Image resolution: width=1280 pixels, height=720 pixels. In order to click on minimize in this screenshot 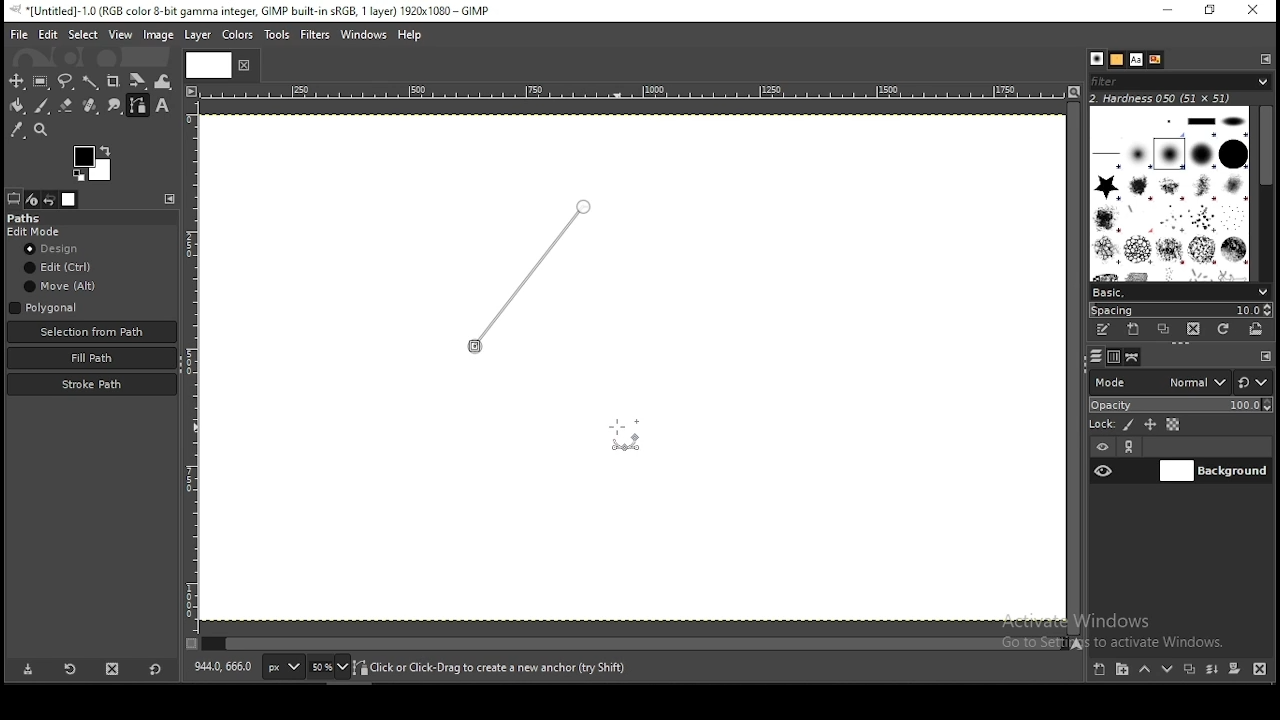, I will do `click(1169, 10)`.